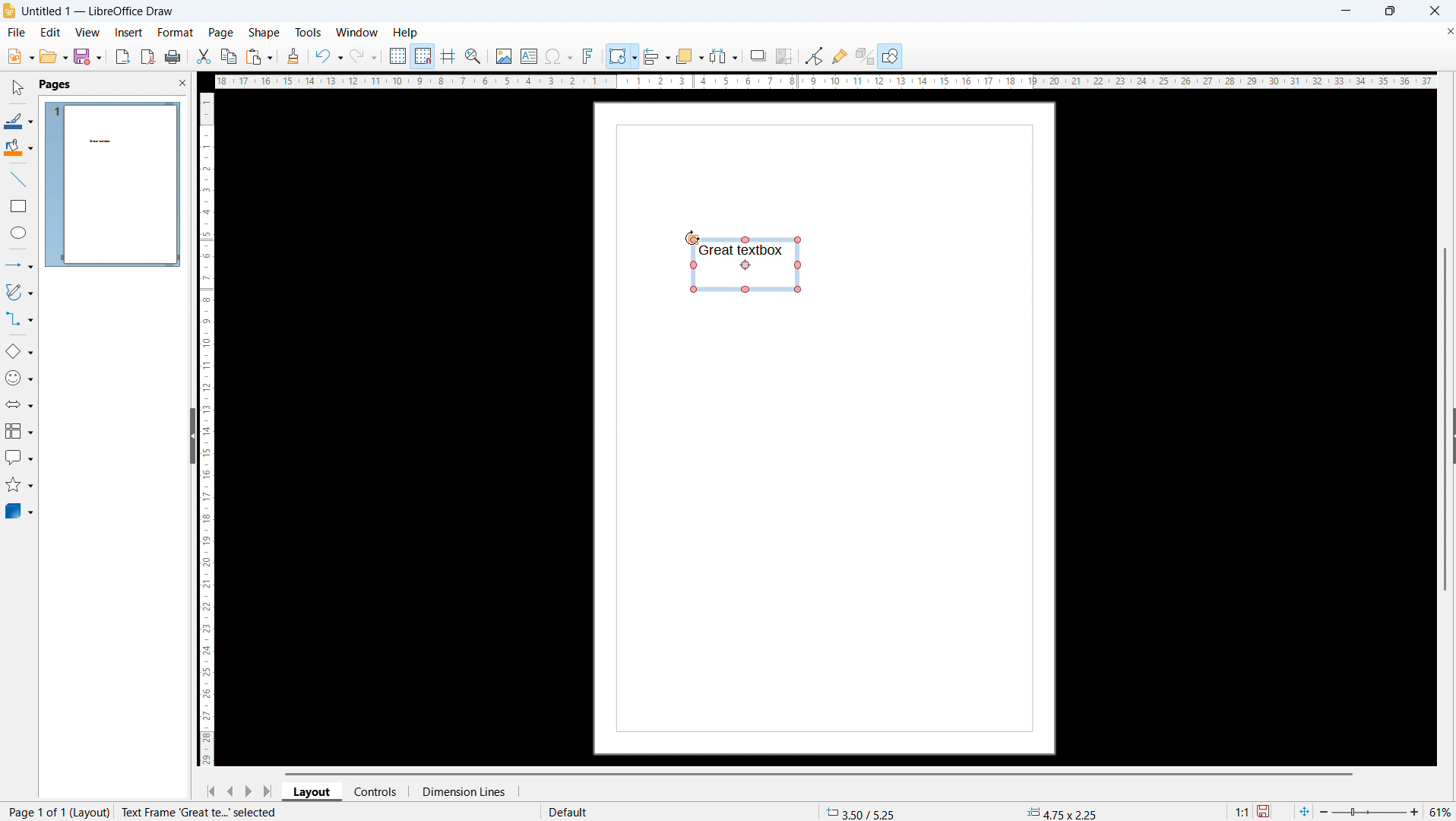  I want to click on controls, so click(378, 791).